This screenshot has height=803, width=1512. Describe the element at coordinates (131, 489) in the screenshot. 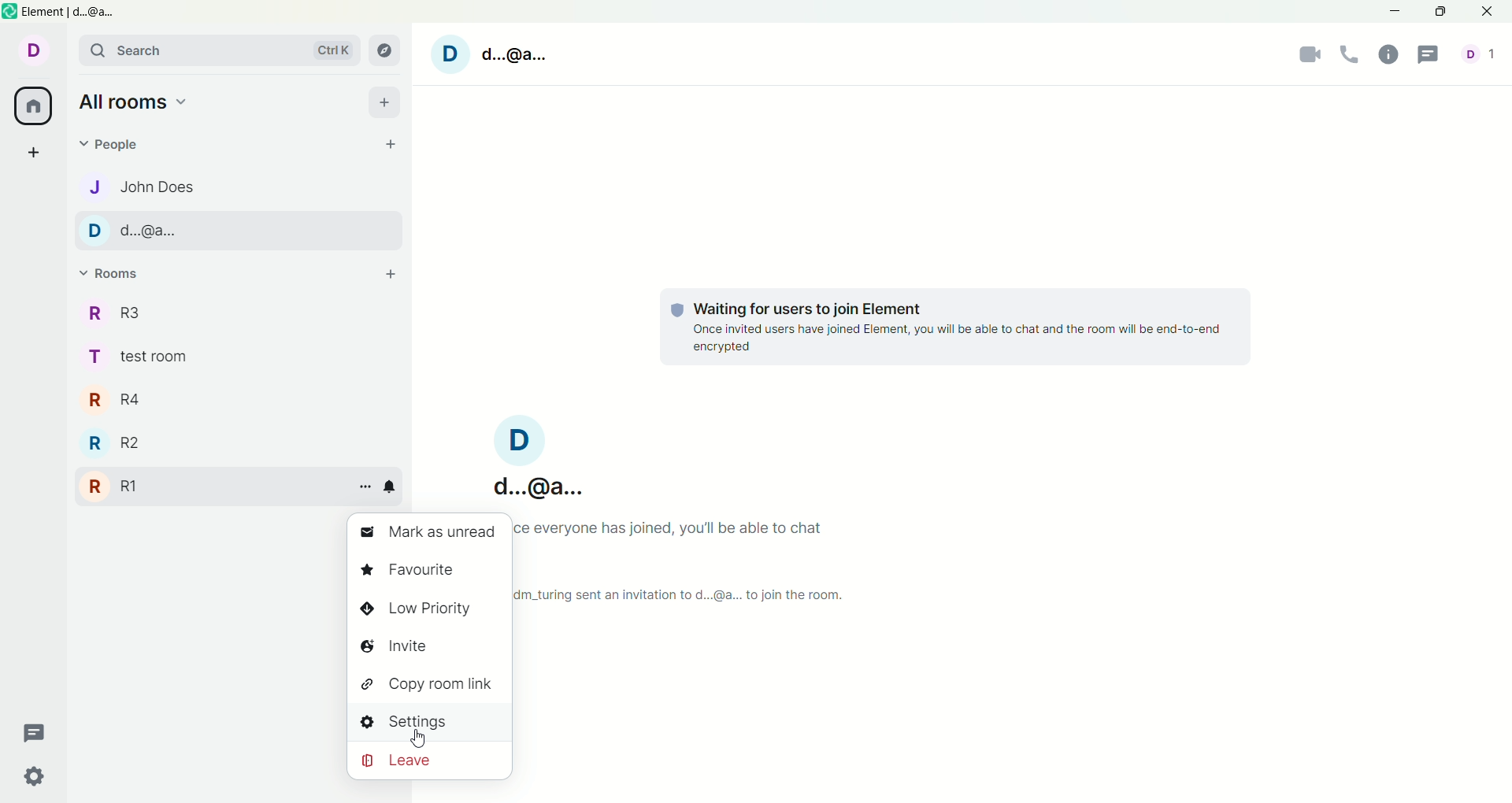

I see `r r1` at that location.